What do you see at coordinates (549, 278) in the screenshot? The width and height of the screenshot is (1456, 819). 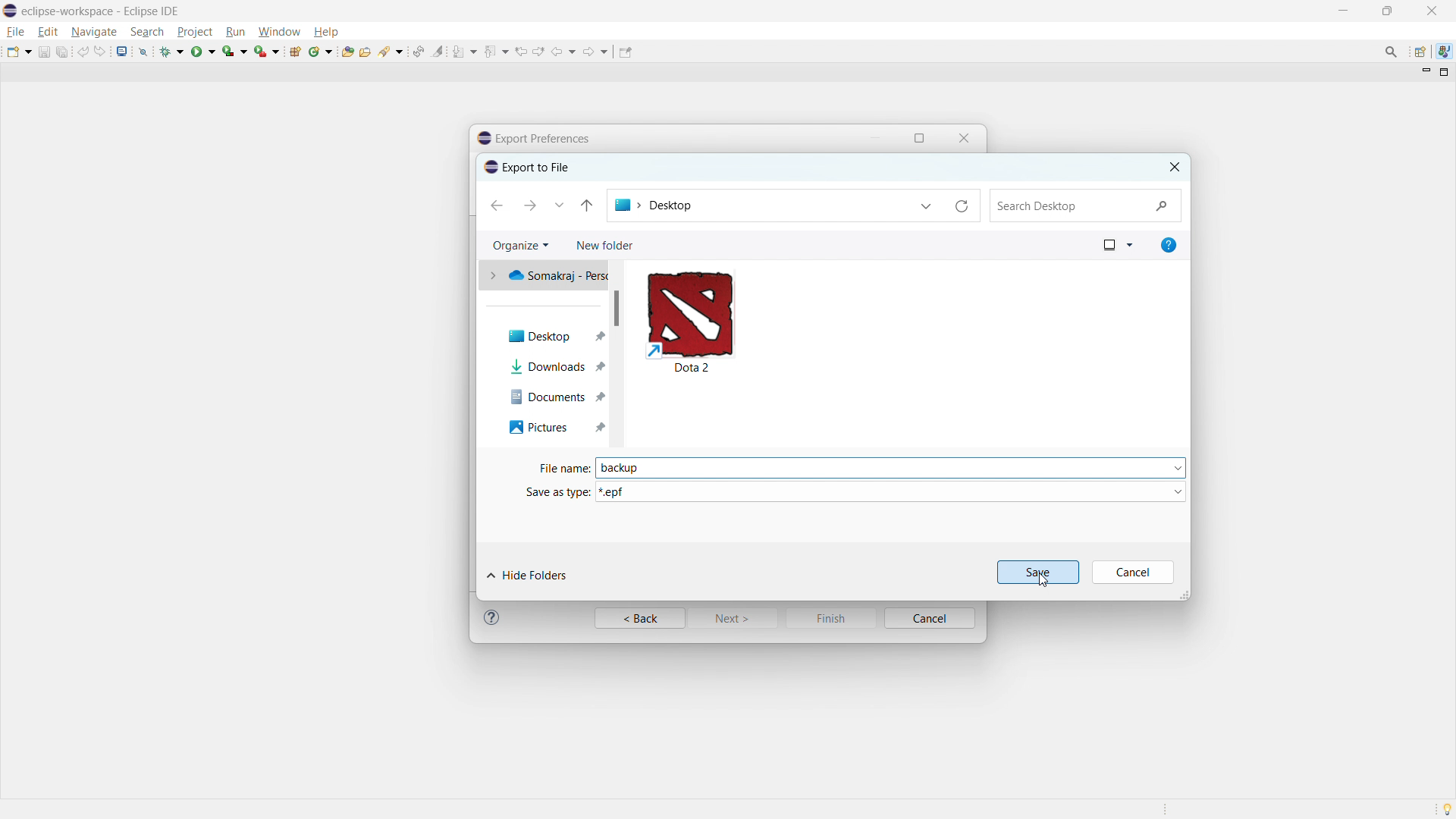 I see `Somakraj-Pers` at bounding box center [549, 278].